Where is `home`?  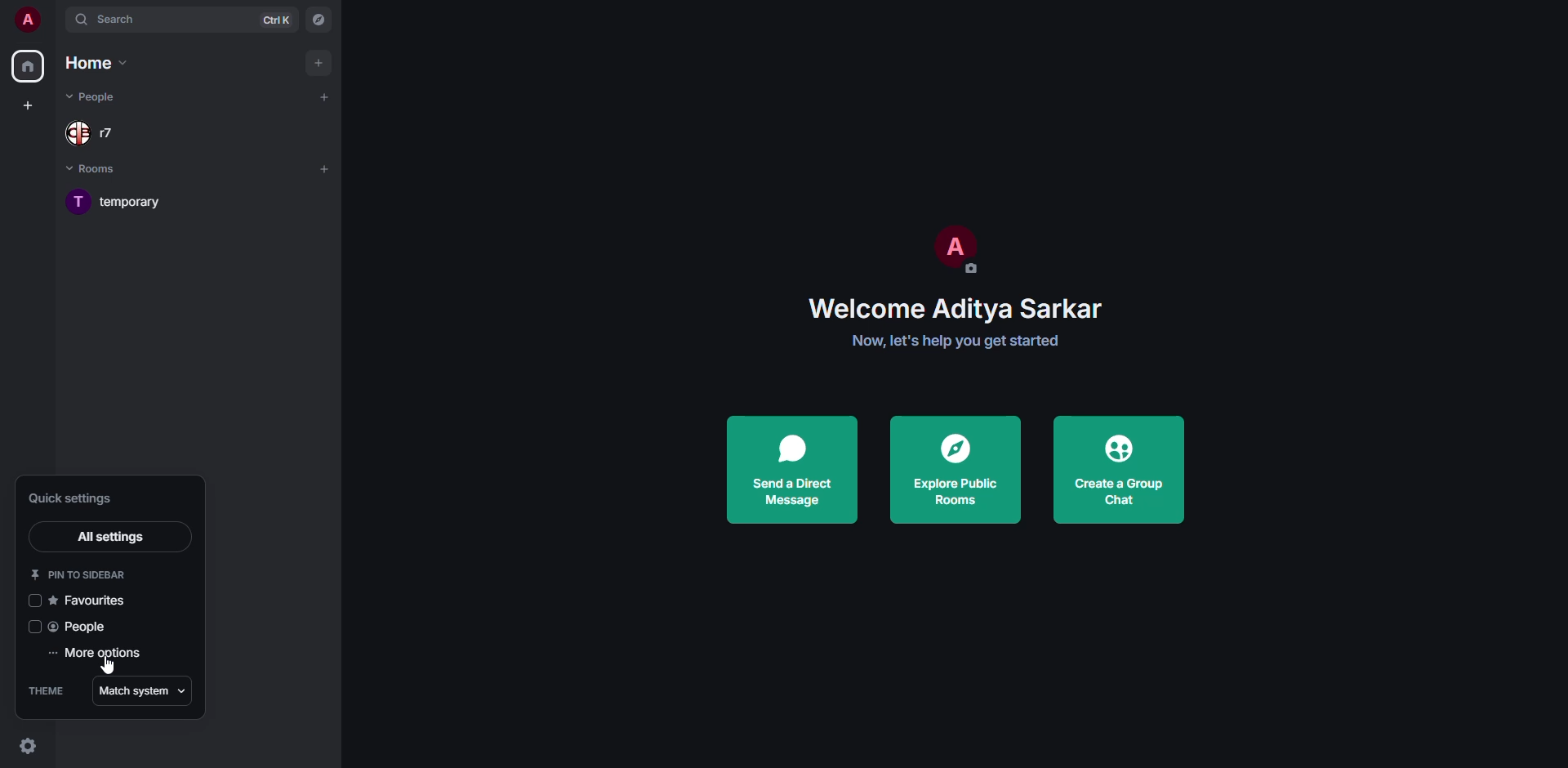 home is located at coordinates (100, 64).